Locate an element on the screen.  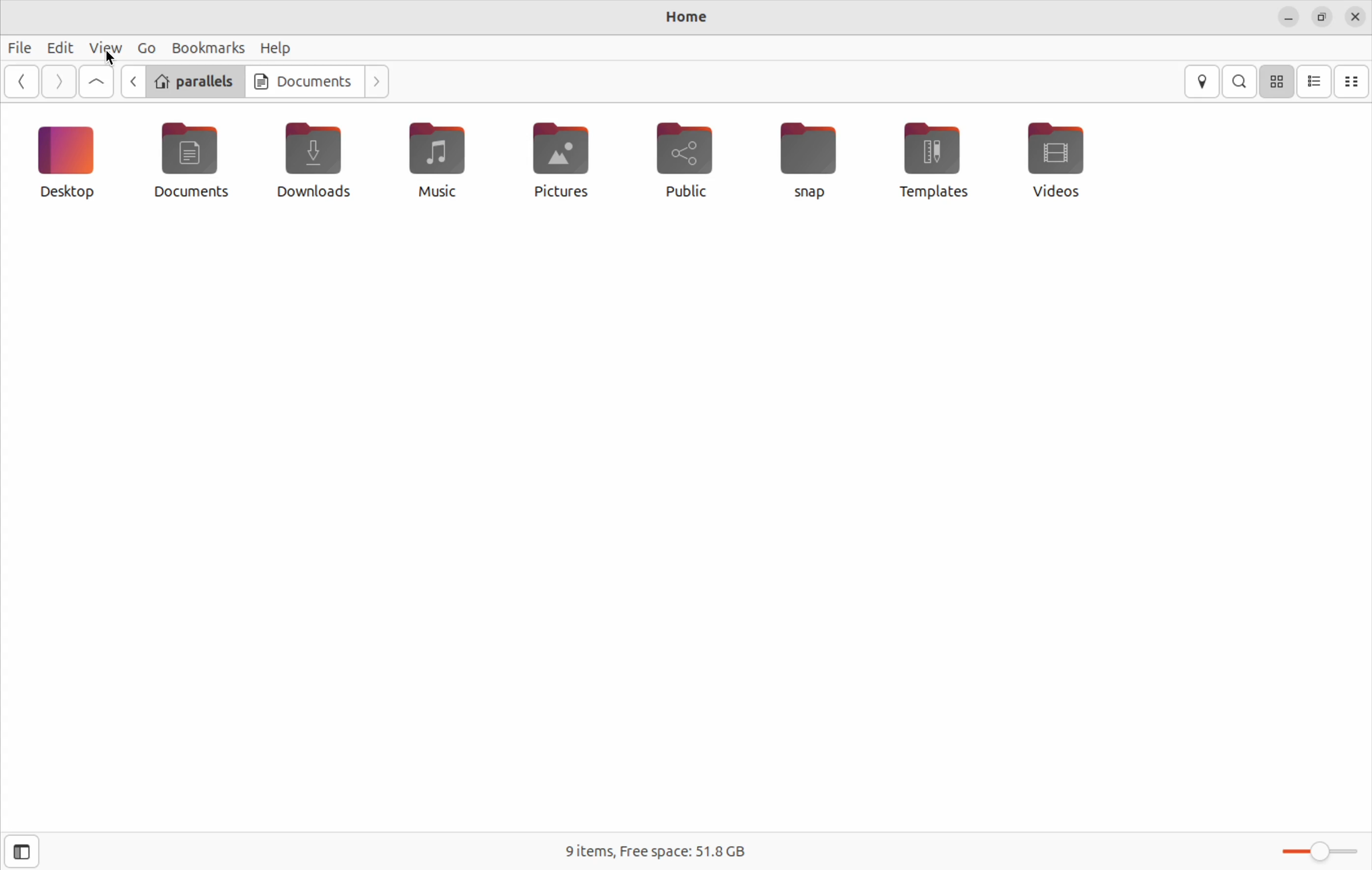
music is located at coordinates (434, 161).